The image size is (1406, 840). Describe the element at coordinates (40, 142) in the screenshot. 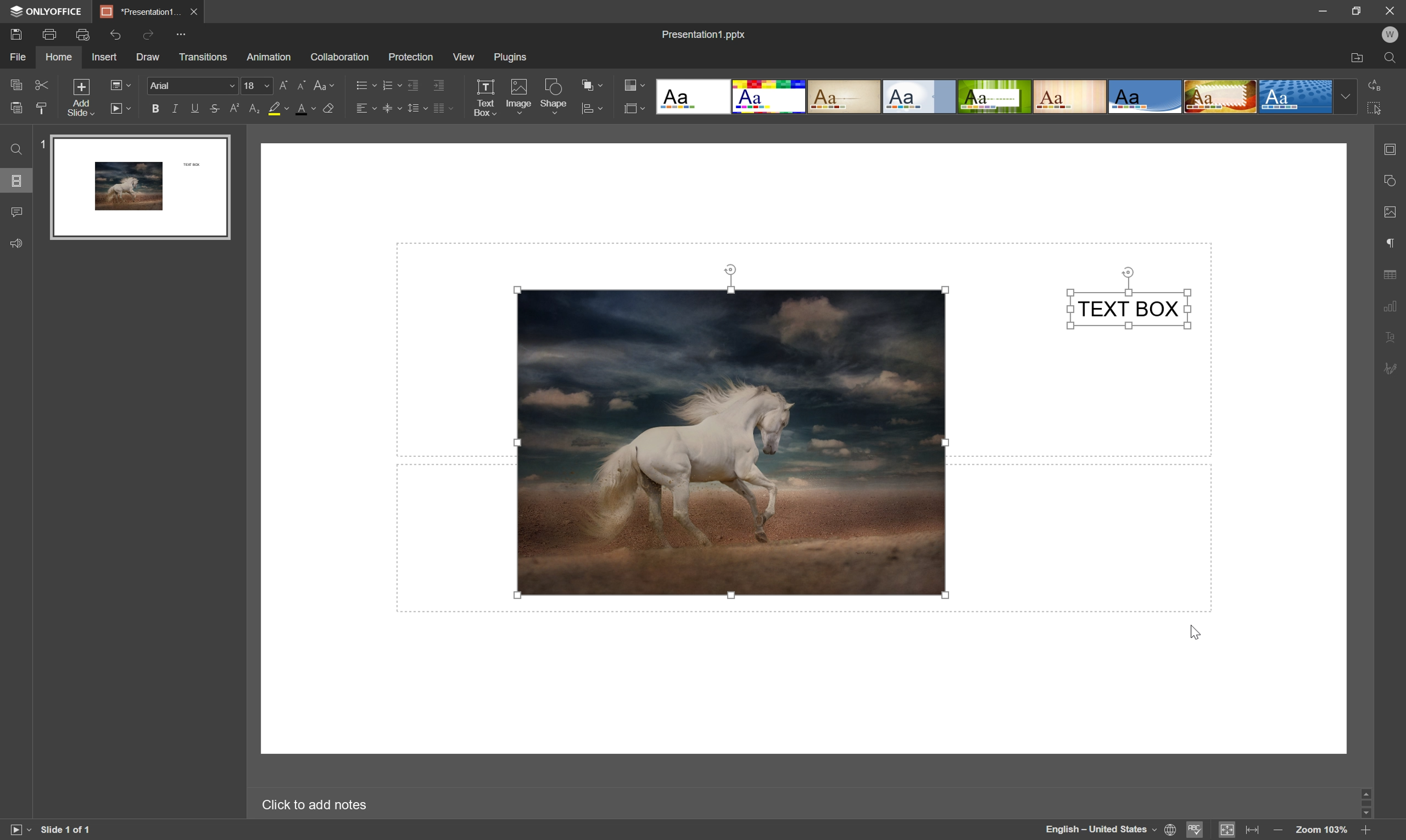

I see `1` at that location.